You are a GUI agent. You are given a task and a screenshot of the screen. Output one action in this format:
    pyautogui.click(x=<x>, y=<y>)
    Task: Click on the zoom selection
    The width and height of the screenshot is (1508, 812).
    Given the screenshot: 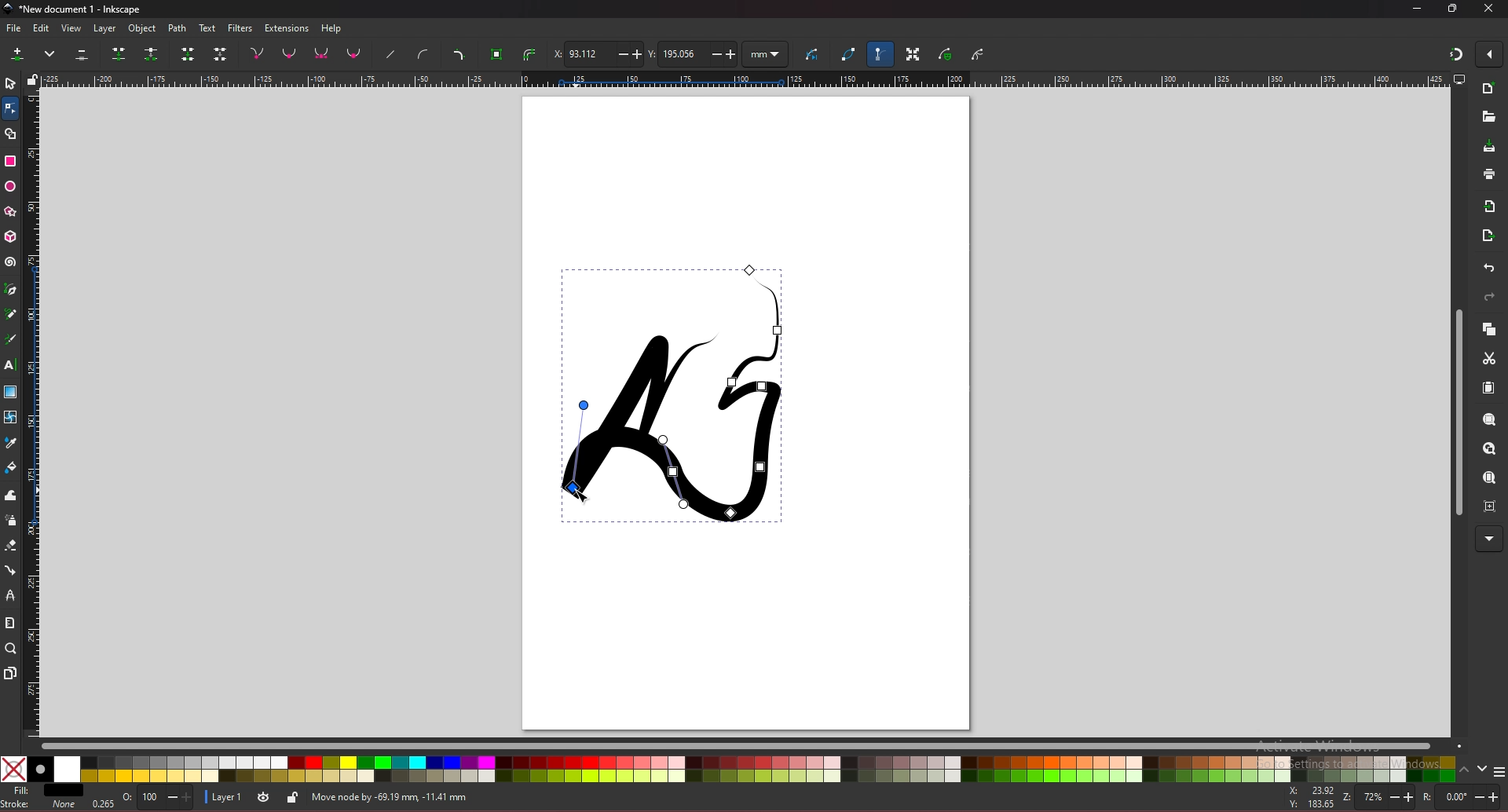 What is the action you would take?
    pyautogui.click(x=1488, y=420)
    